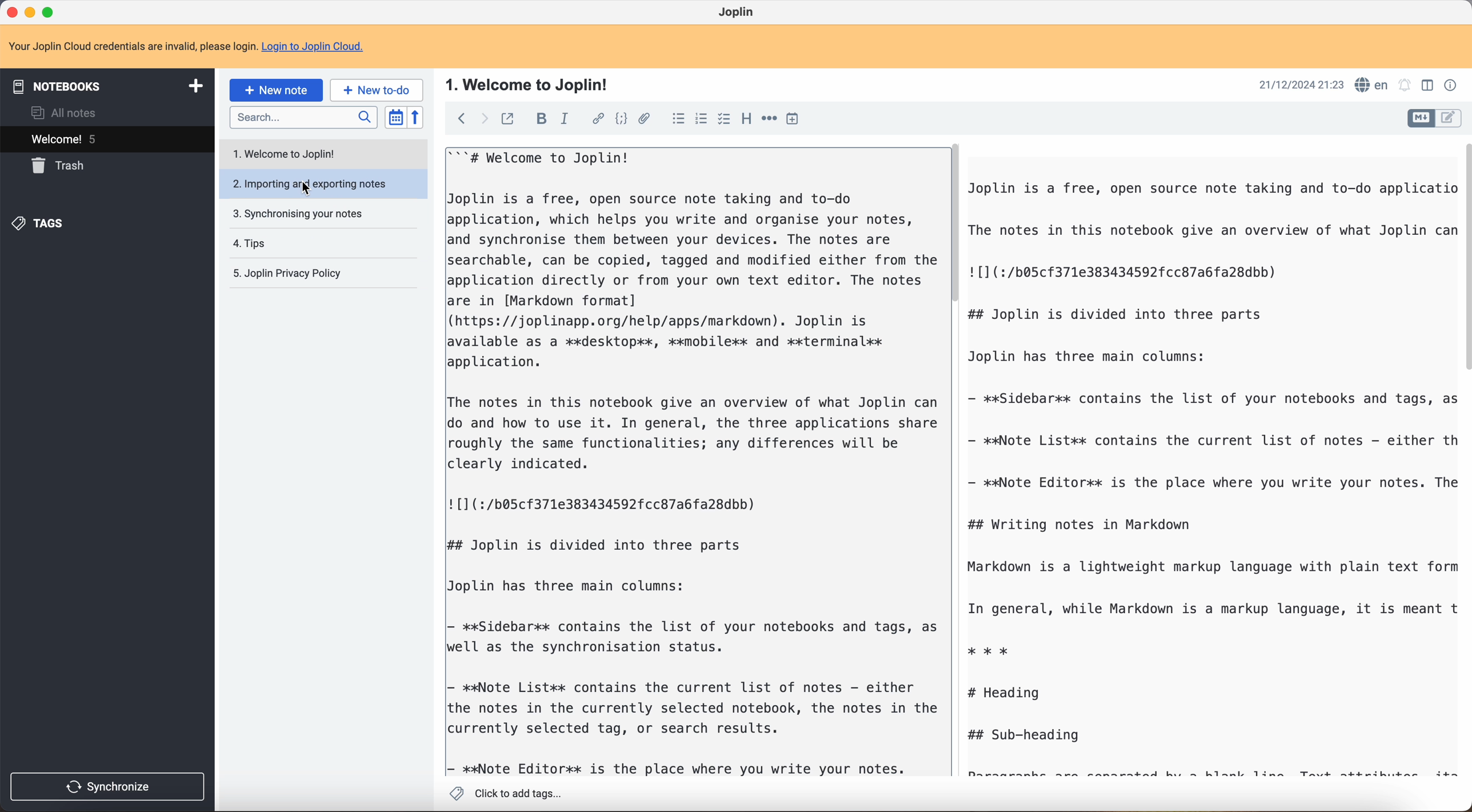 The height and width of the screenshot is (812, 1472). I want to click on click to add tags, so click(504, 793).